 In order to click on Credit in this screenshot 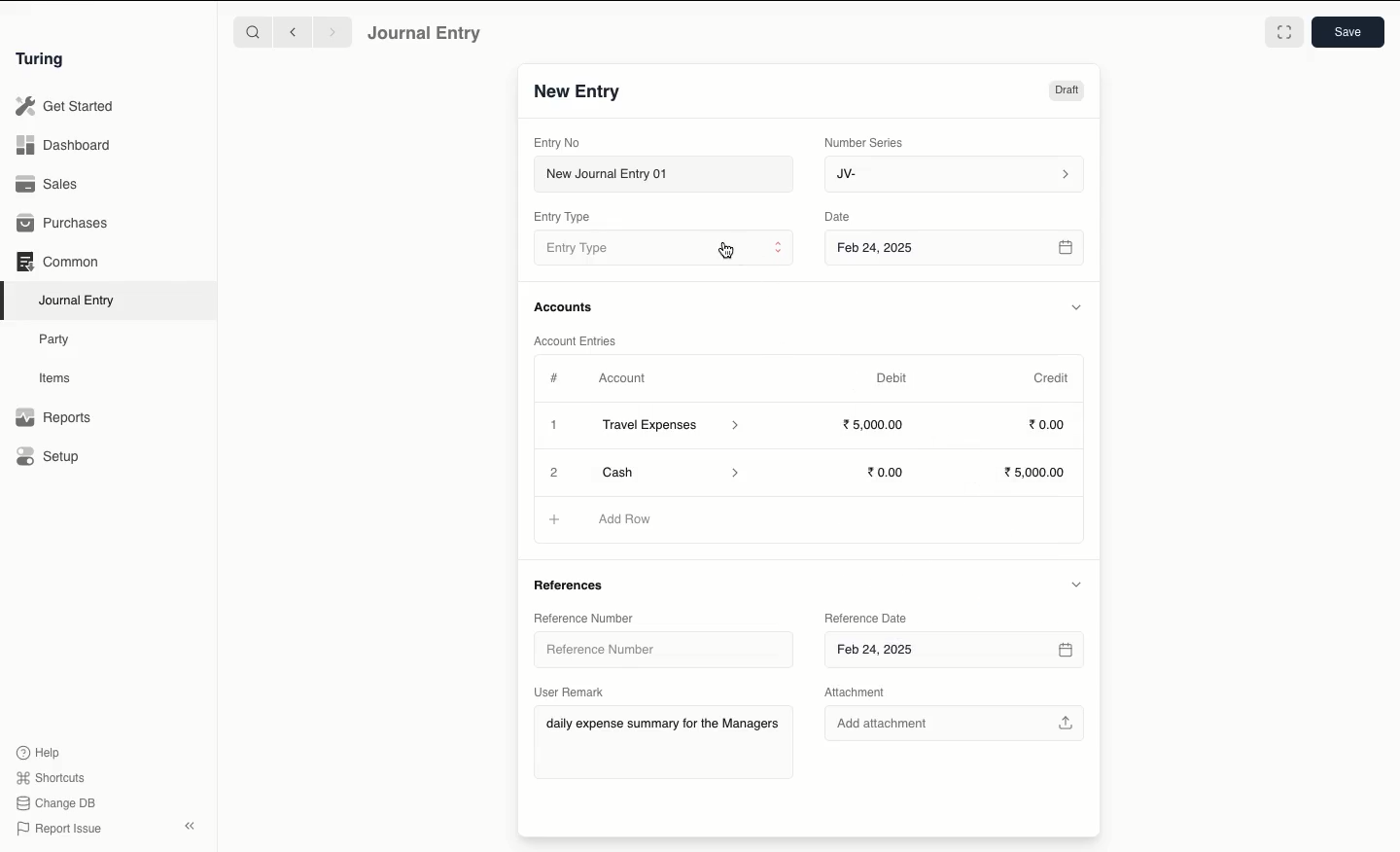, I will do `click(1053, 378)`.